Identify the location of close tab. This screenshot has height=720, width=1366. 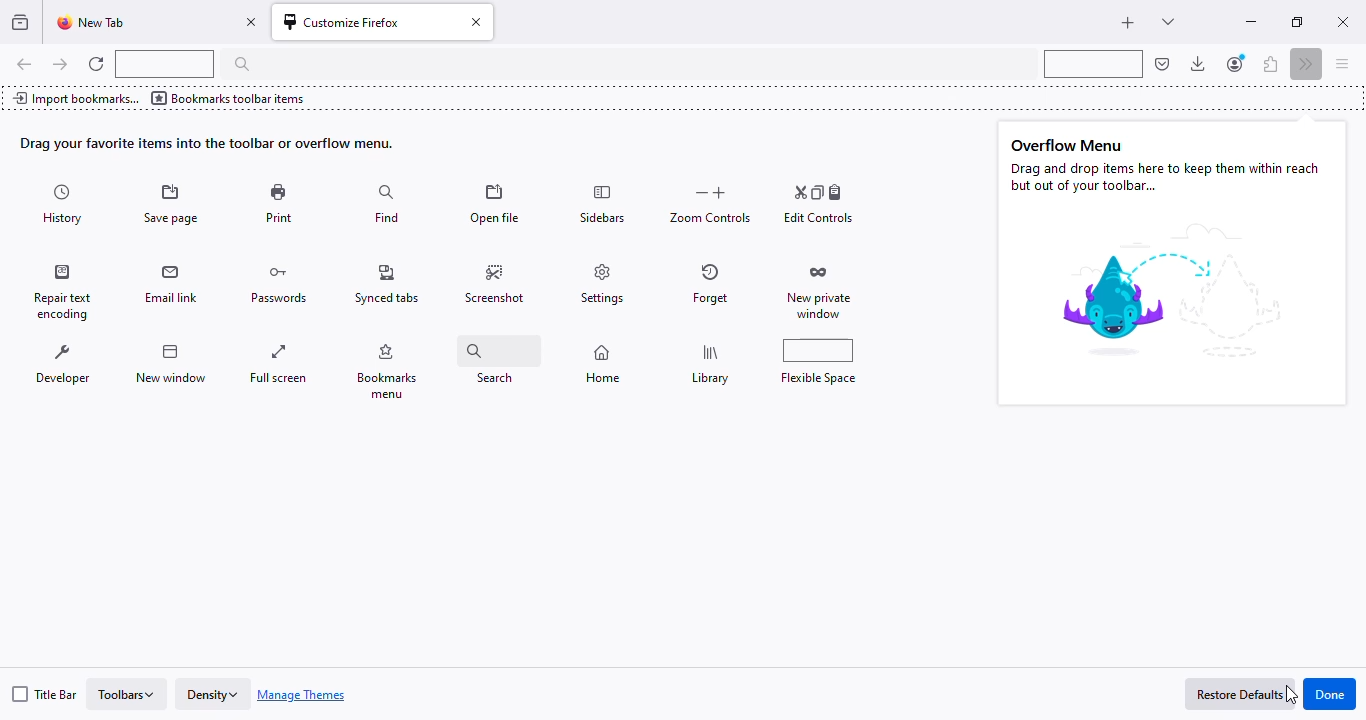
(252, 22).